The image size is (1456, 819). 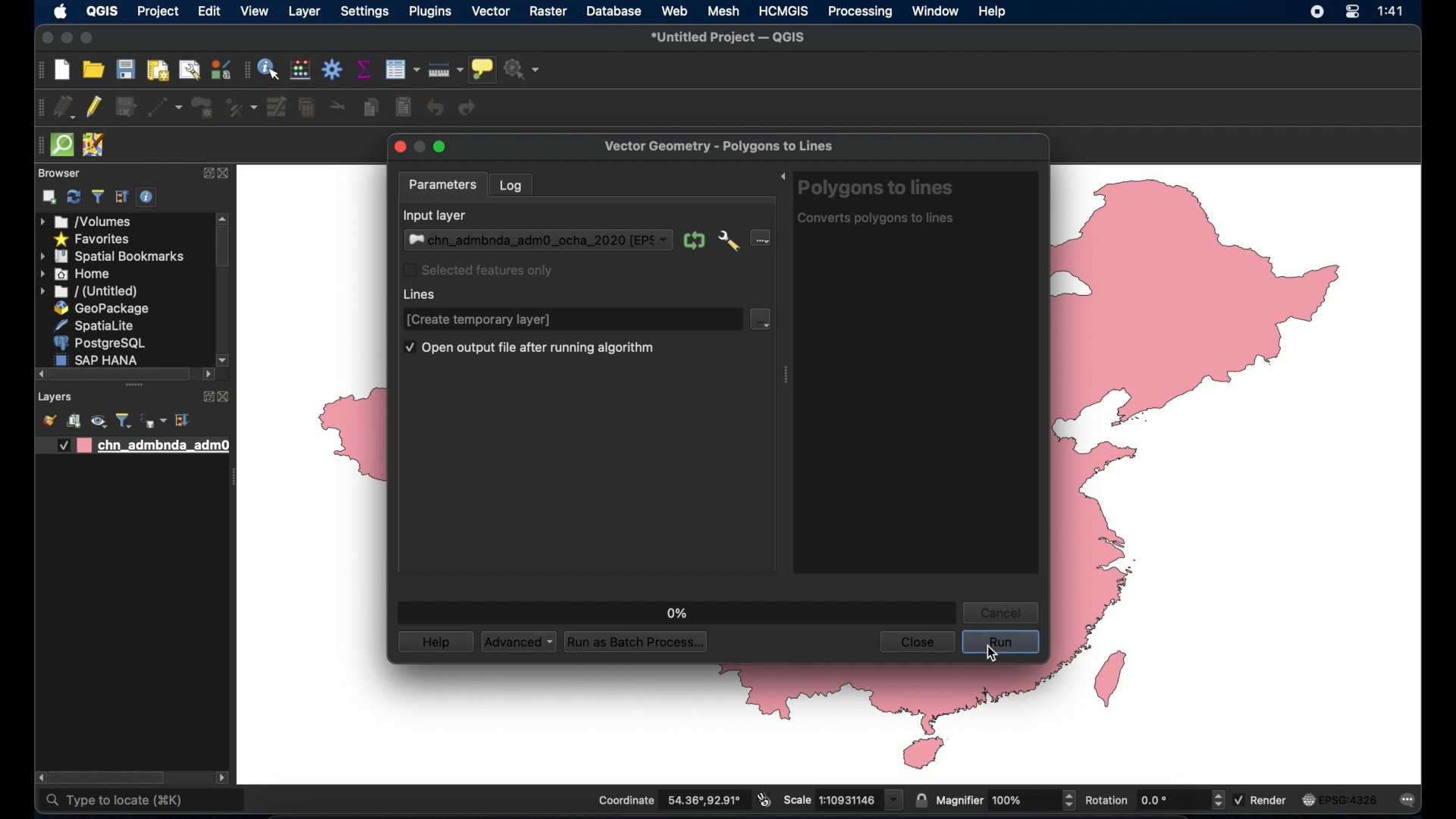 I want to click on project, so click(x=158, y=13).